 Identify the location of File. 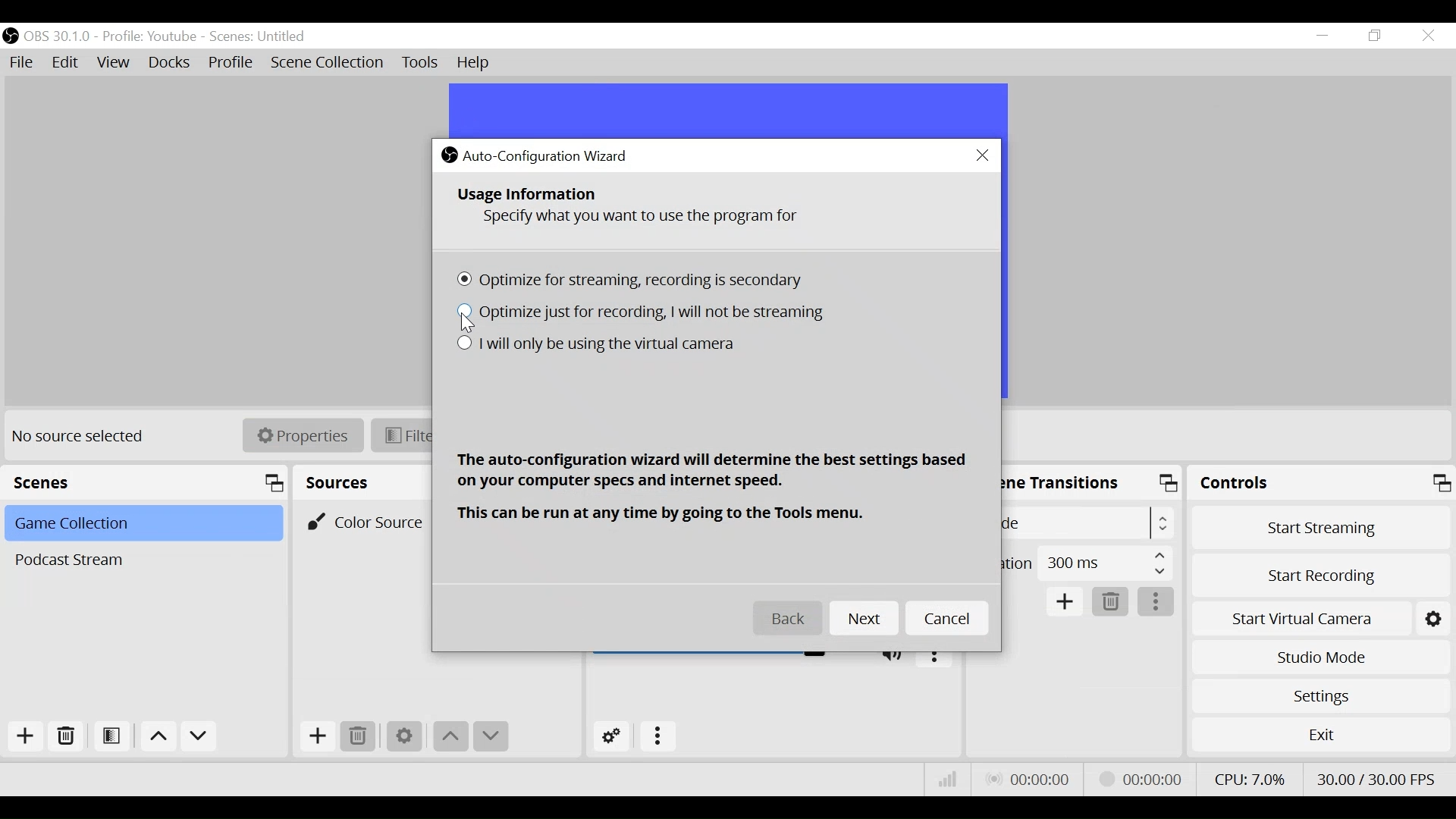
(22, 63).